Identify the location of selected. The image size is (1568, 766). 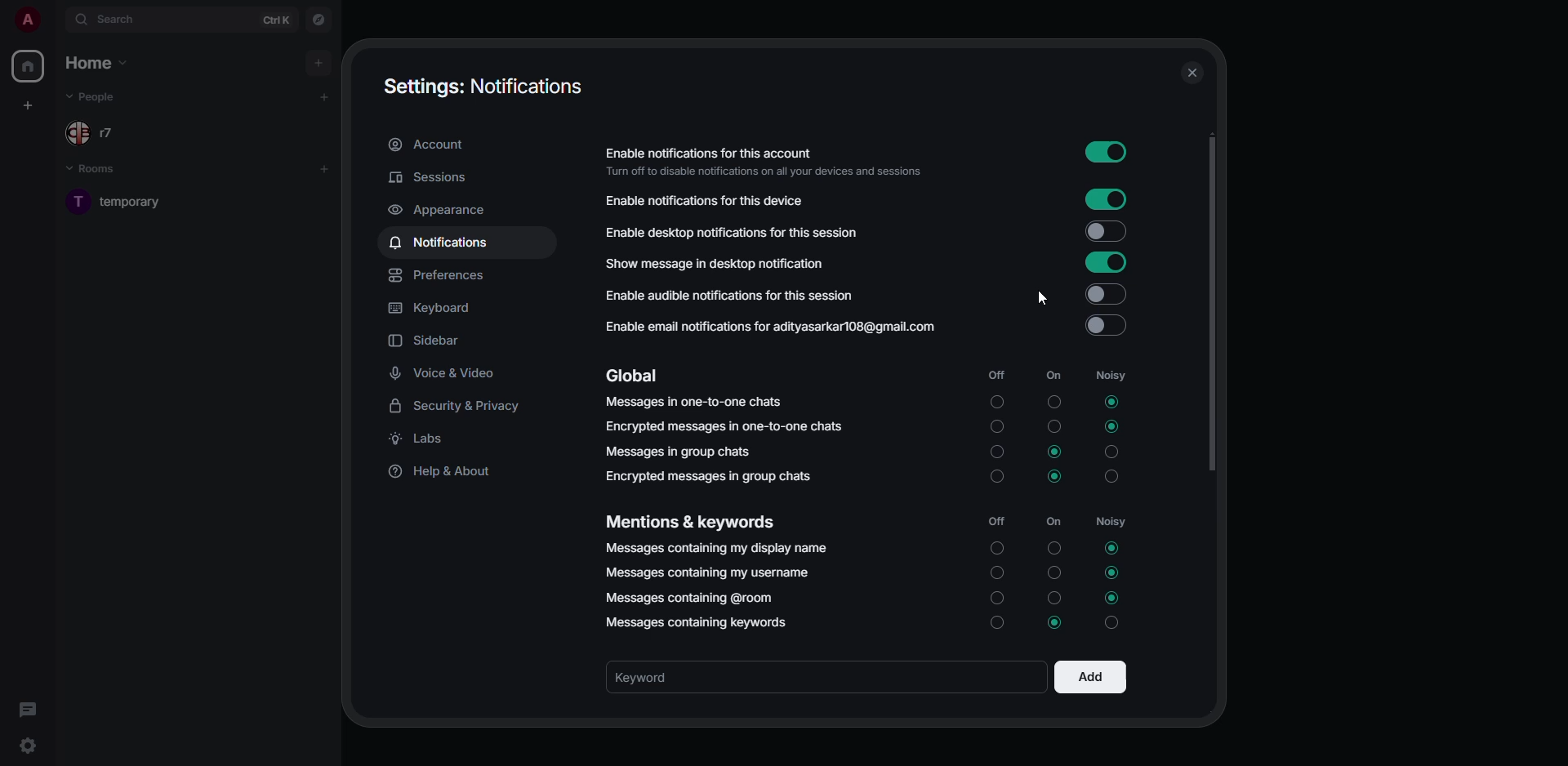
(1113, 599).